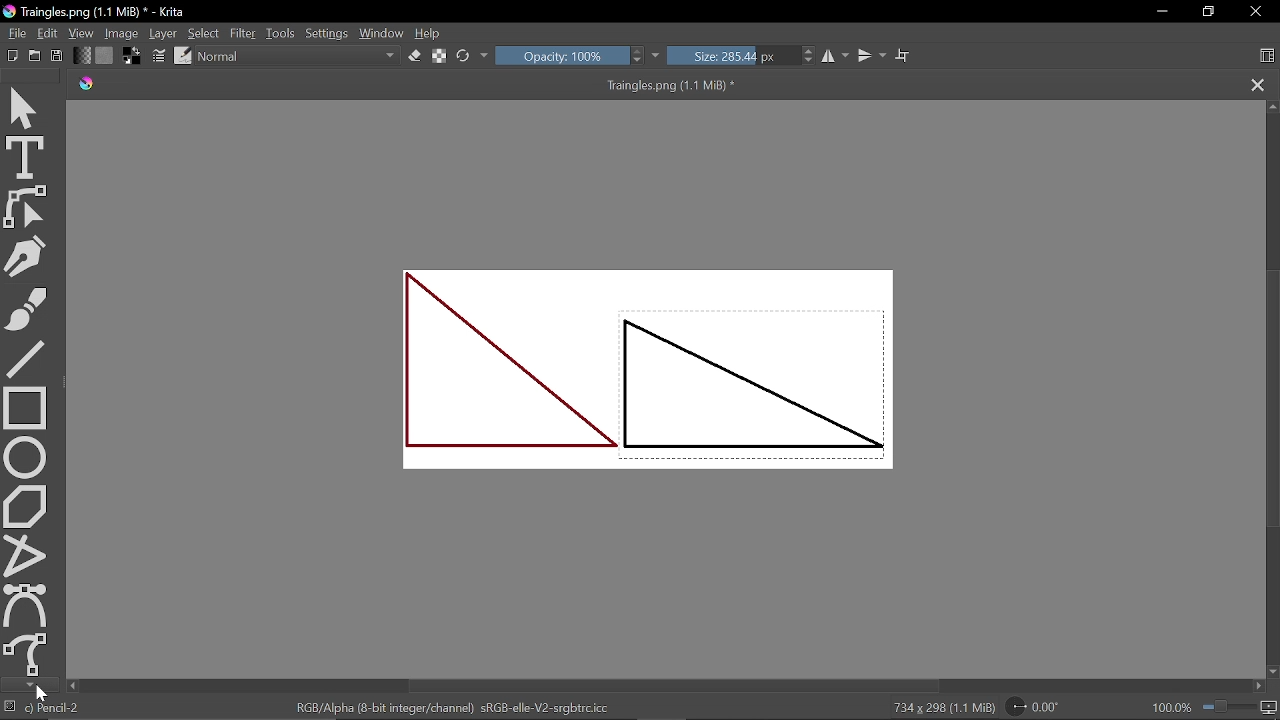 The height and width of the screenshot is (720, 1280). I want to click on Move up, so click(1272, 107).